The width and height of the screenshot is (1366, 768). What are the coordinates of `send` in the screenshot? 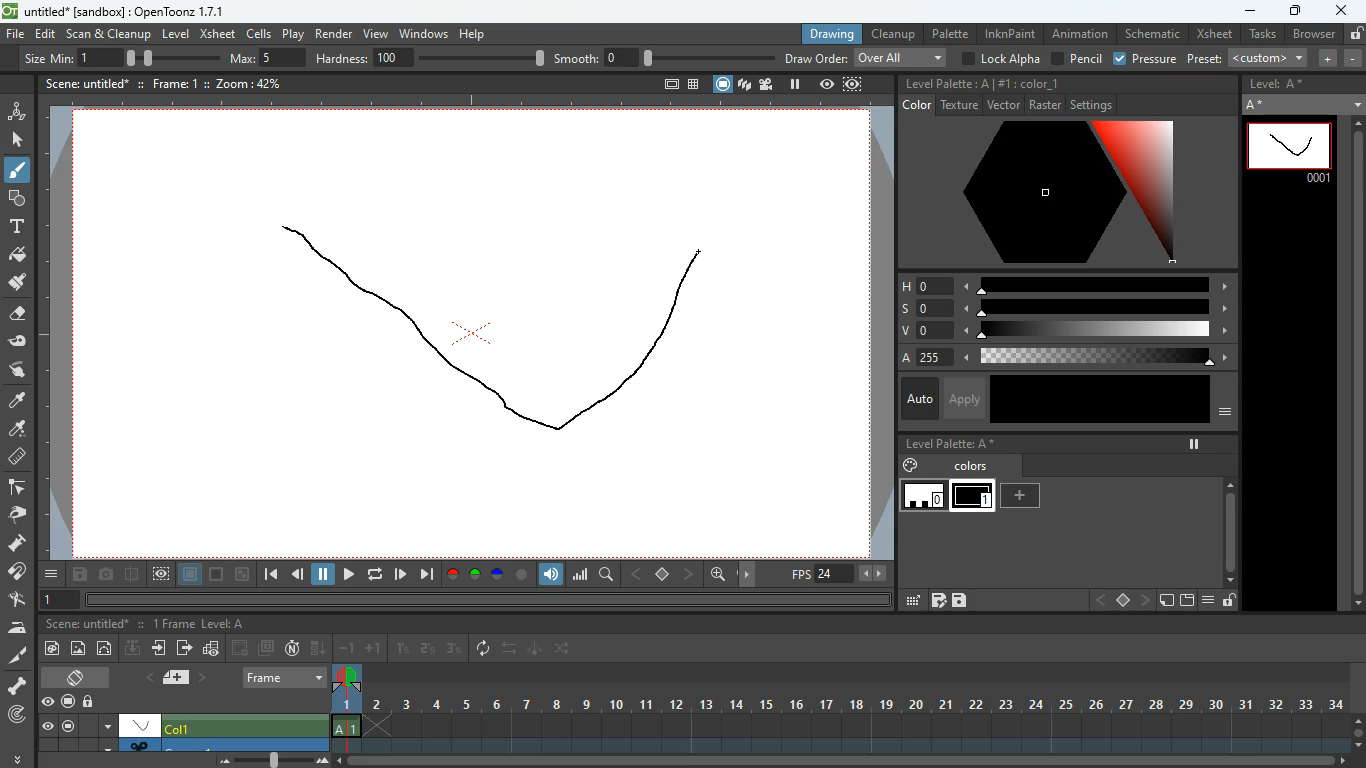 It's located at (184, 647).